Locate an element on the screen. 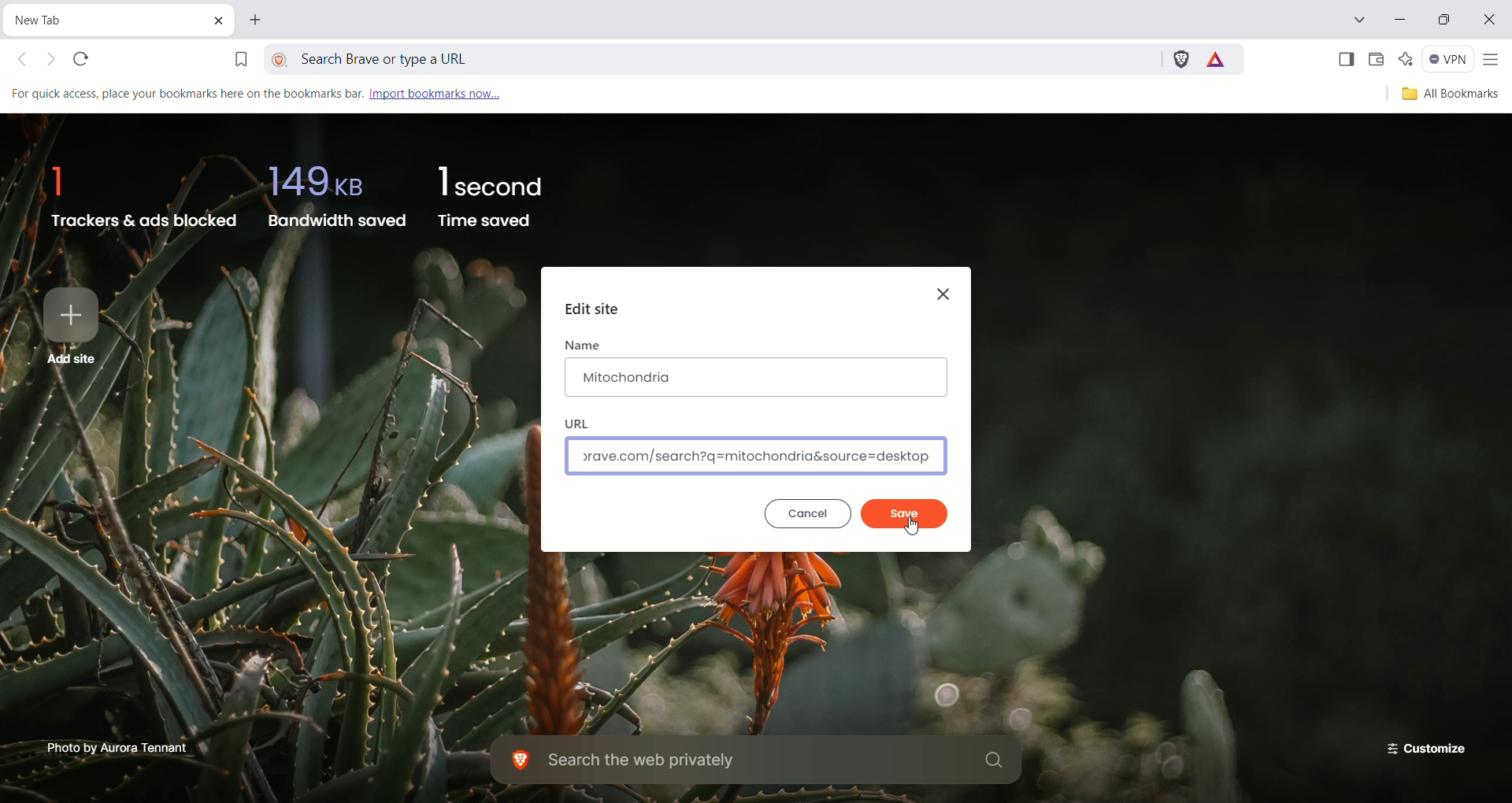 This screenshot has height=803, width=1512. close is located at coordinates (947, 290).